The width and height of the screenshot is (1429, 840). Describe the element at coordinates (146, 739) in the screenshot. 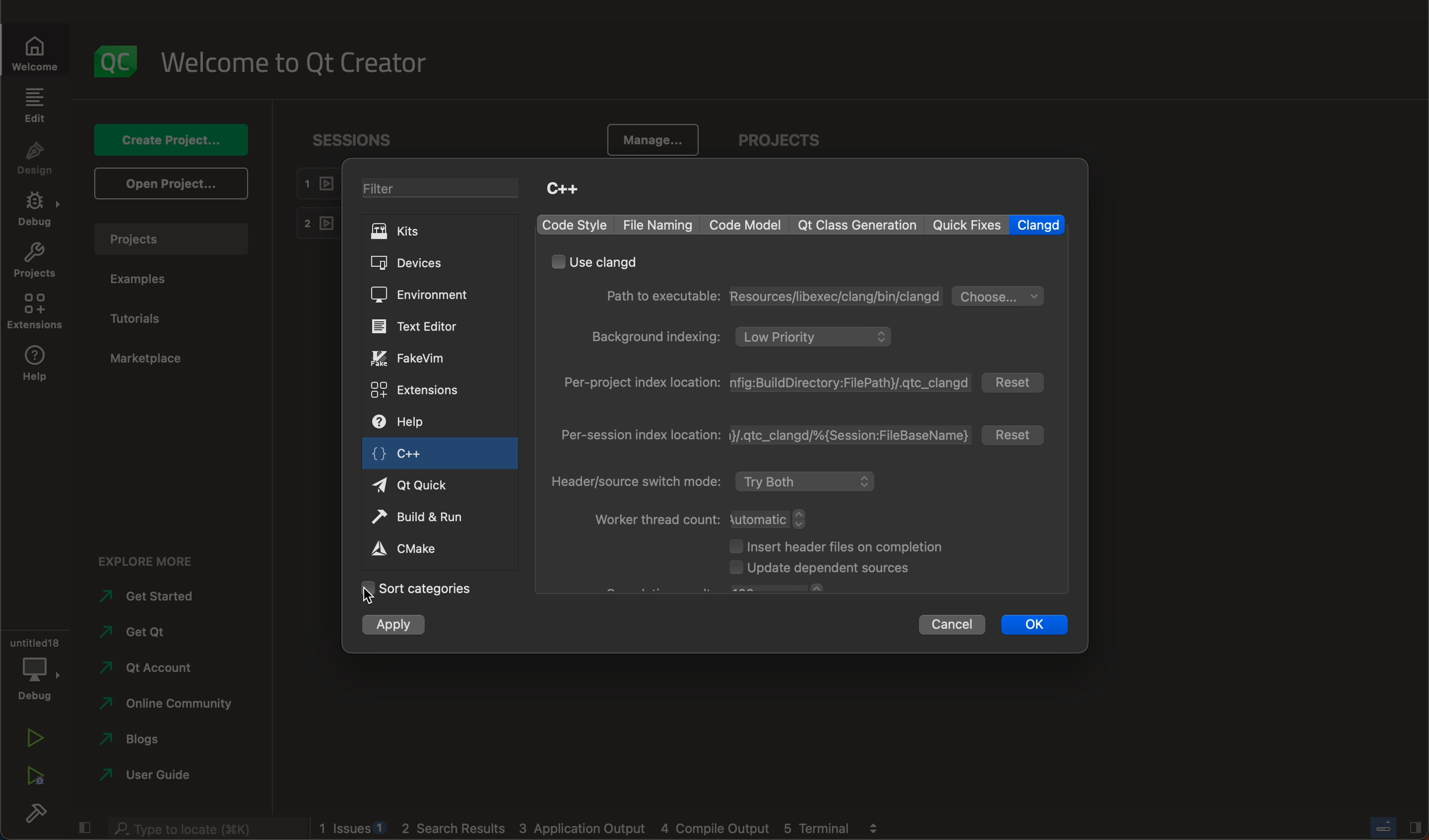

I see `blogs` at that location.